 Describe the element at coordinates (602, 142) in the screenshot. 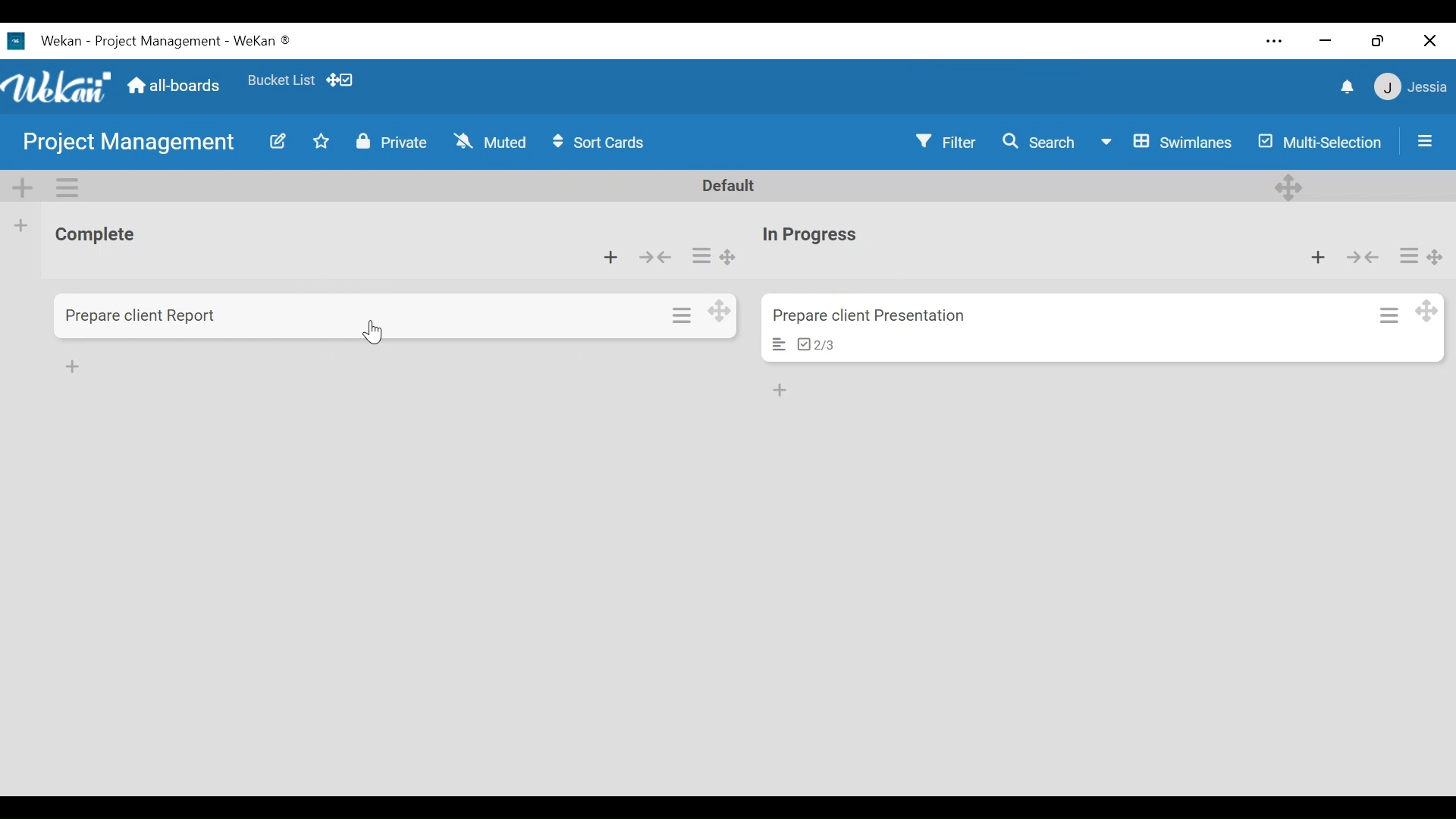

I see `` at that location.